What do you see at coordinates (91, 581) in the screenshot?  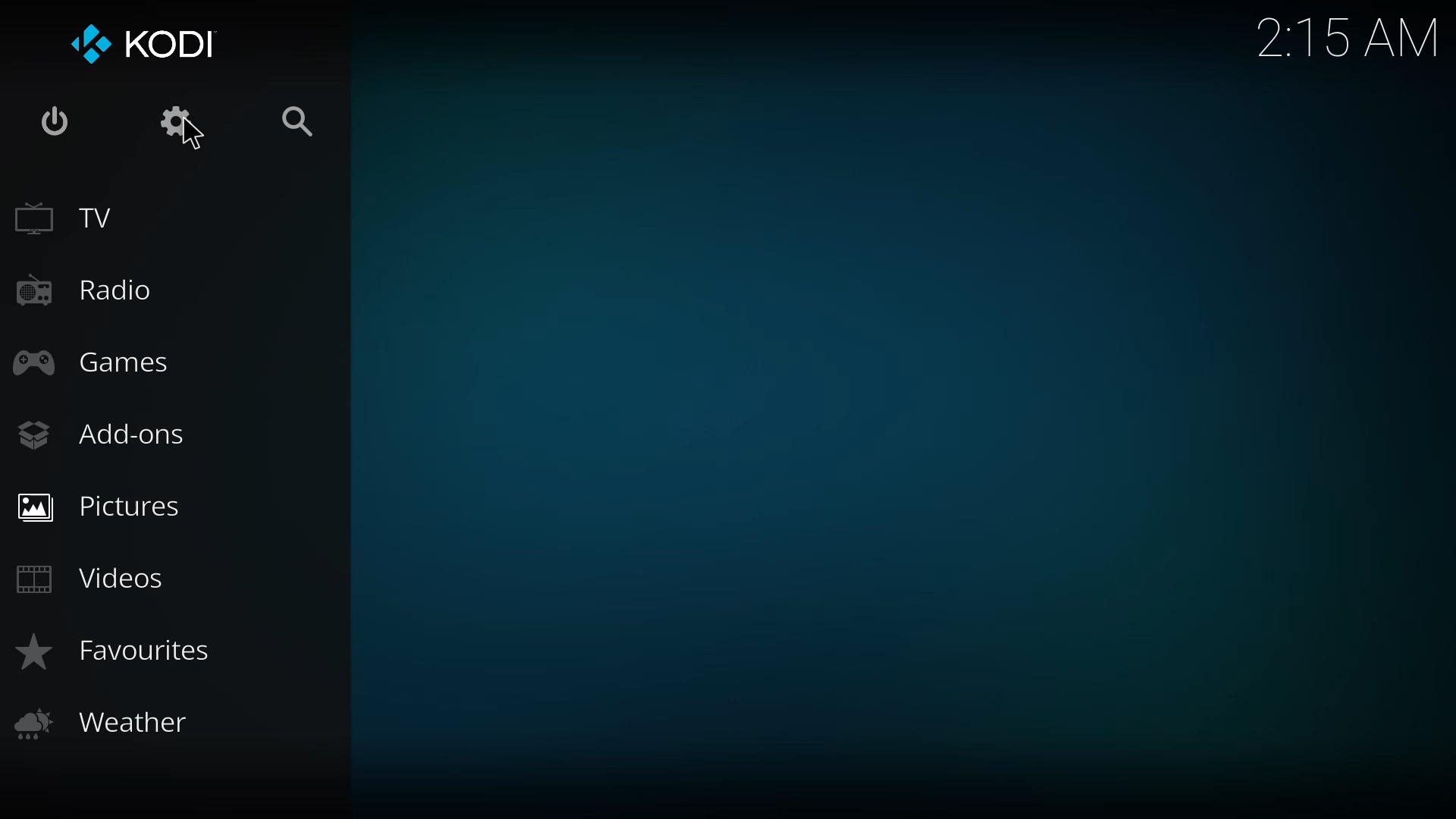 I see `videos` at bounding box center [91, 581].